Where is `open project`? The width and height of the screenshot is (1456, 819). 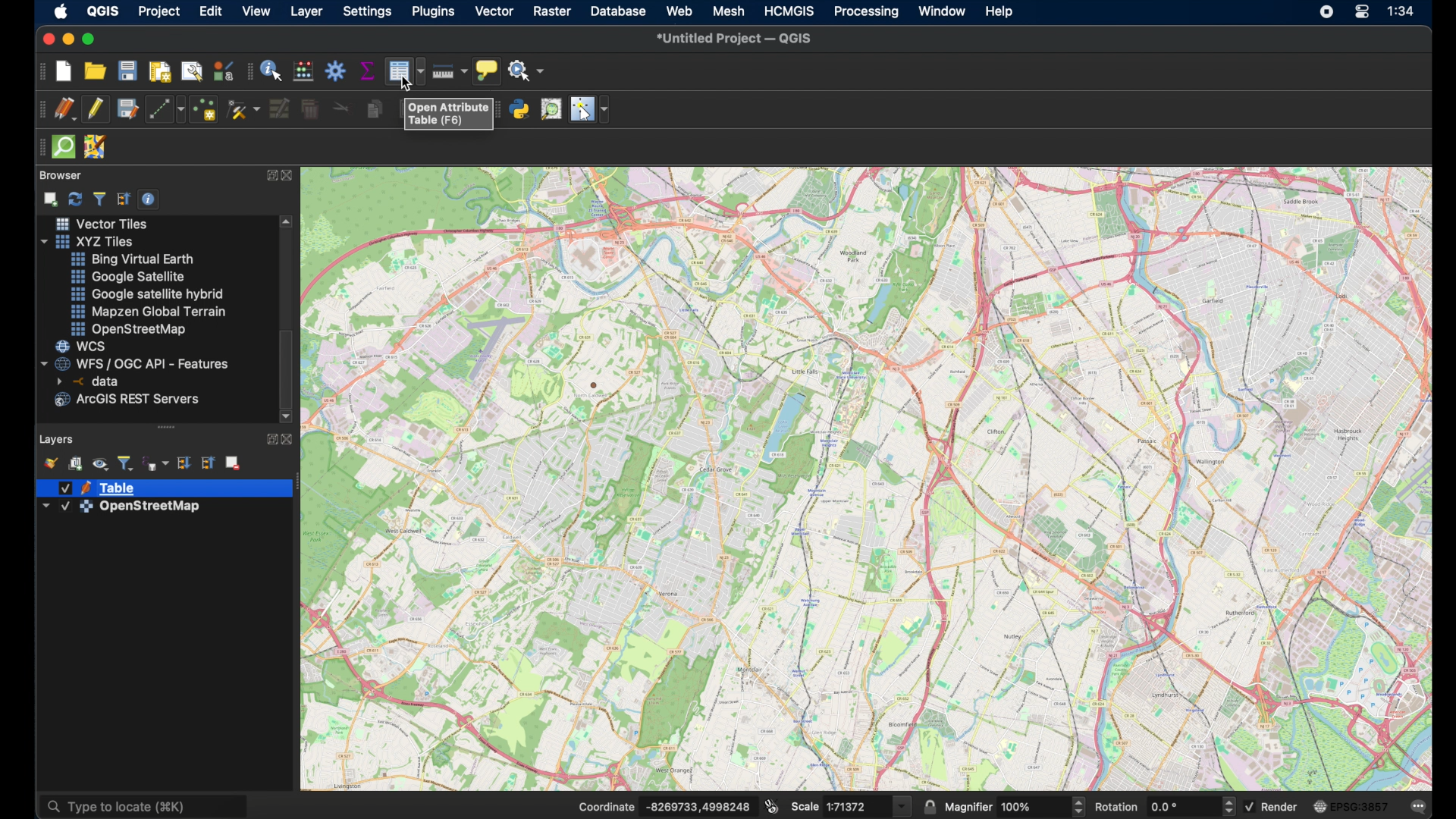
open project is located at coordinates (93, 69).